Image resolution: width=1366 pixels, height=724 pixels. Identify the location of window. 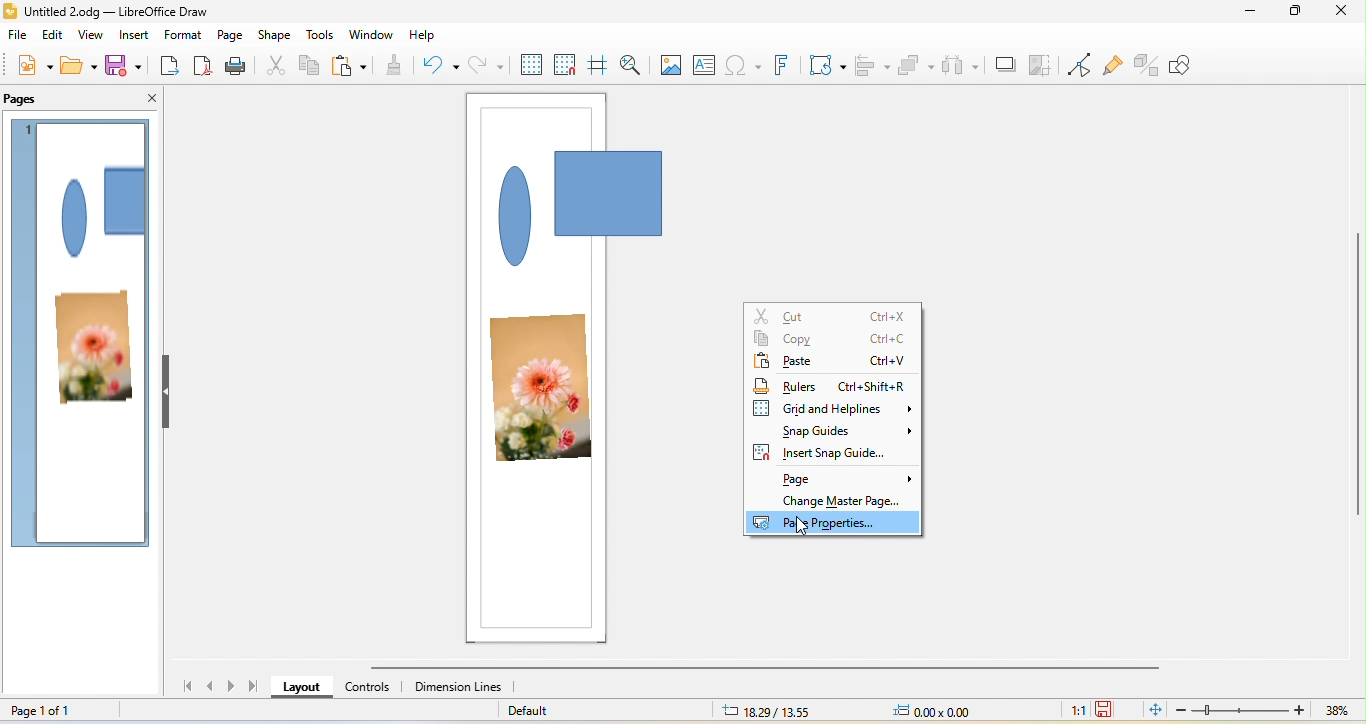
(371, 34).